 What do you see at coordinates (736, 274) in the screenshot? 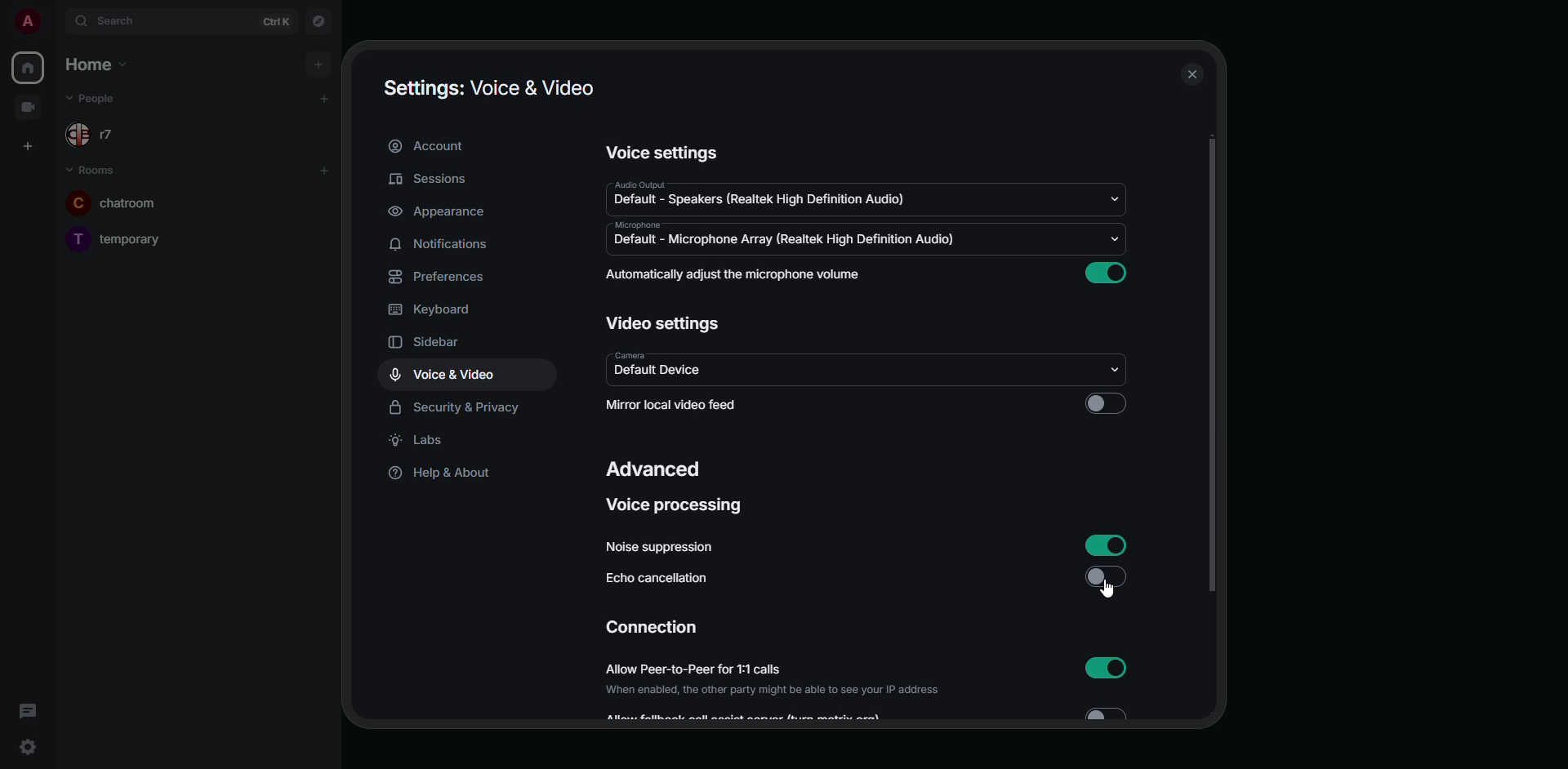
I see `automatically adjust mic volume` at bounding box center [736, 274].